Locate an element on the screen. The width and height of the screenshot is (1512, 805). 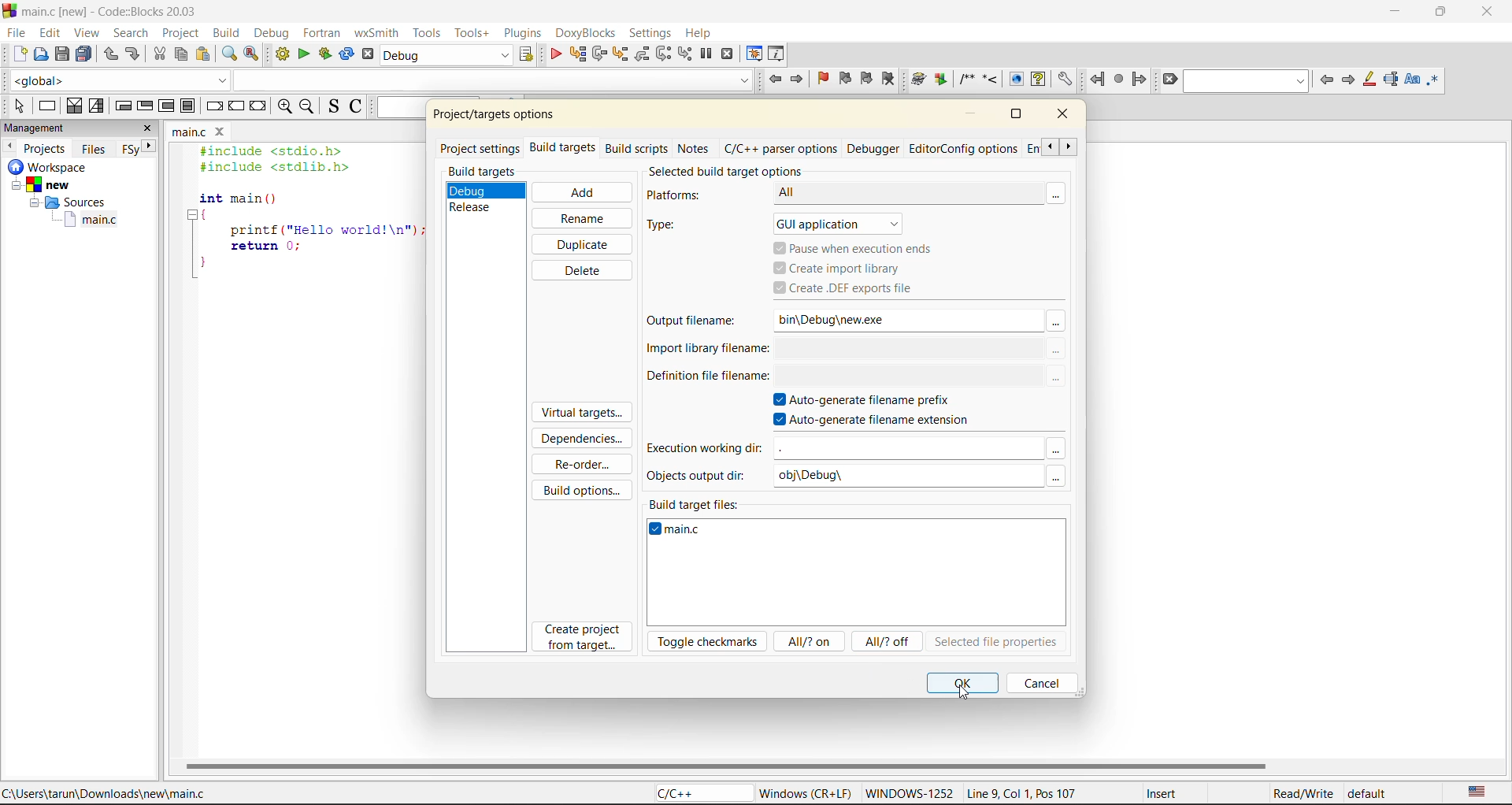
all/?off is located at coordinates (885, 640).